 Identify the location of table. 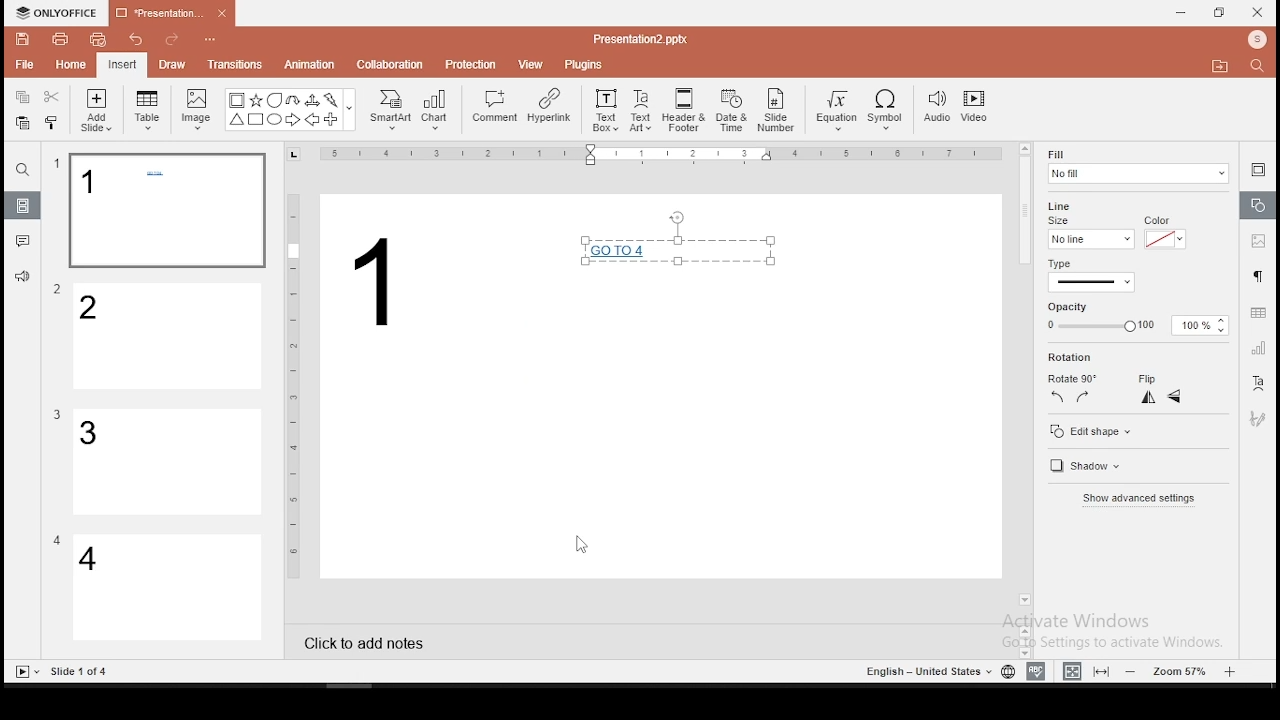
(147, 107).